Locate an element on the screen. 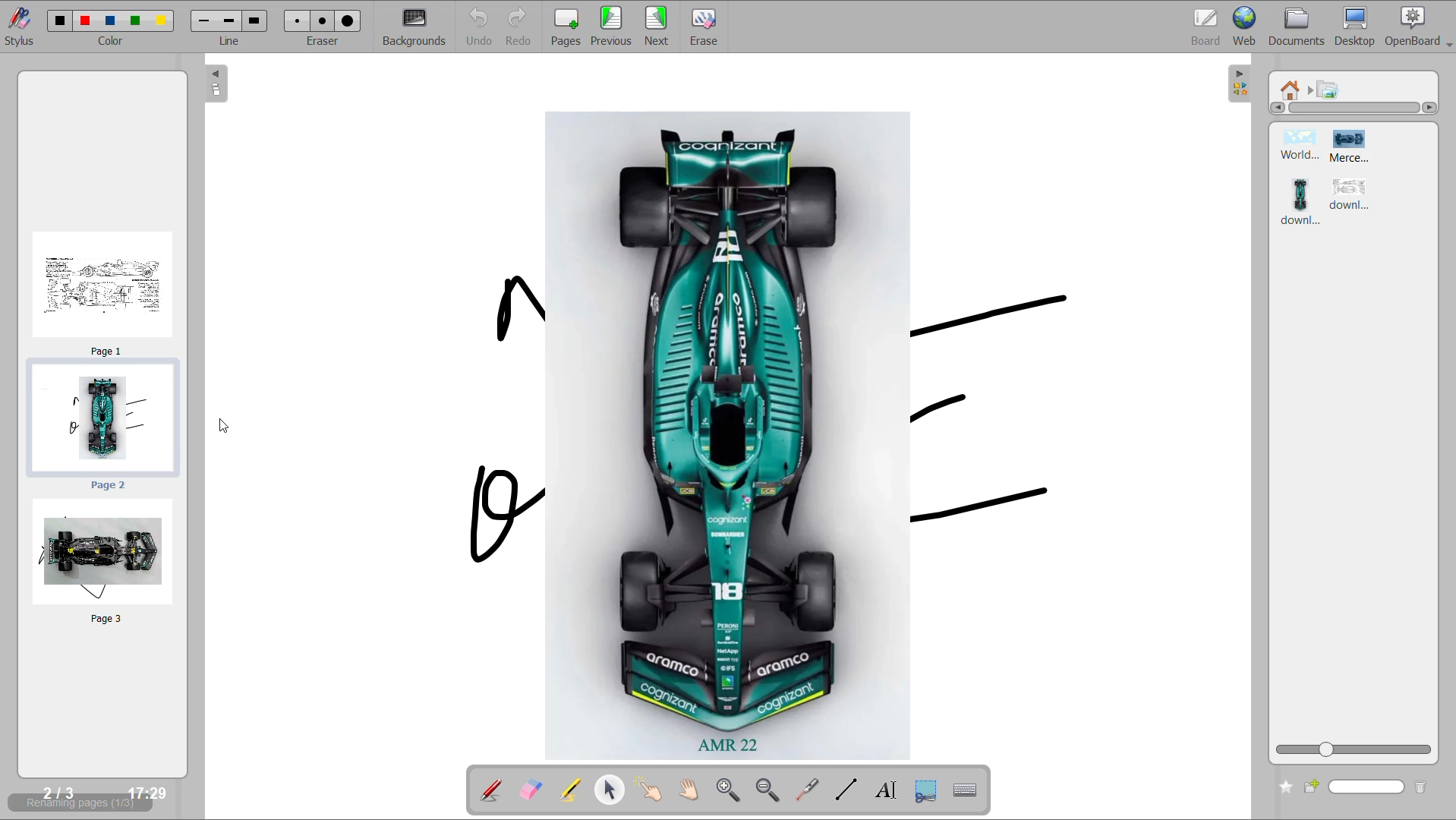  image 2 is located at coordinates (1360, 147).